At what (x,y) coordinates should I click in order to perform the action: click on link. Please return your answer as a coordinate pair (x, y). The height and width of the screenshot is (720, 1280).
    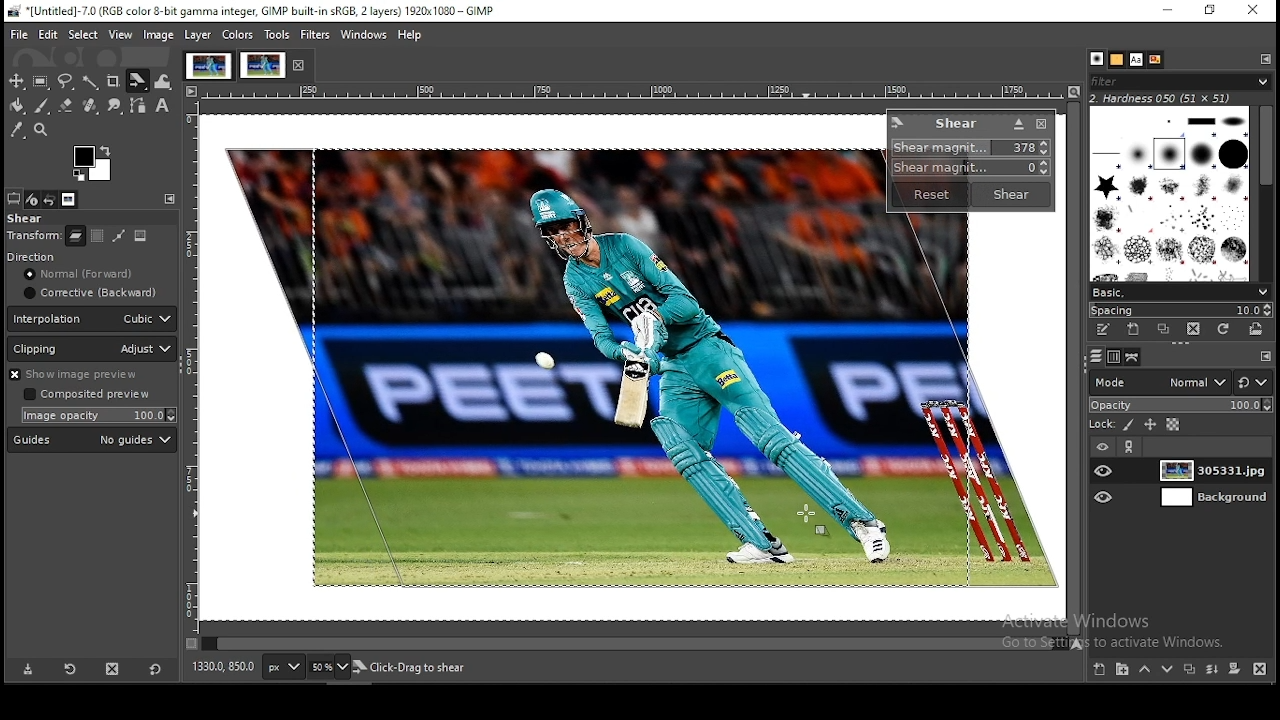
    Looking at the image, I should click on (1131, 447).